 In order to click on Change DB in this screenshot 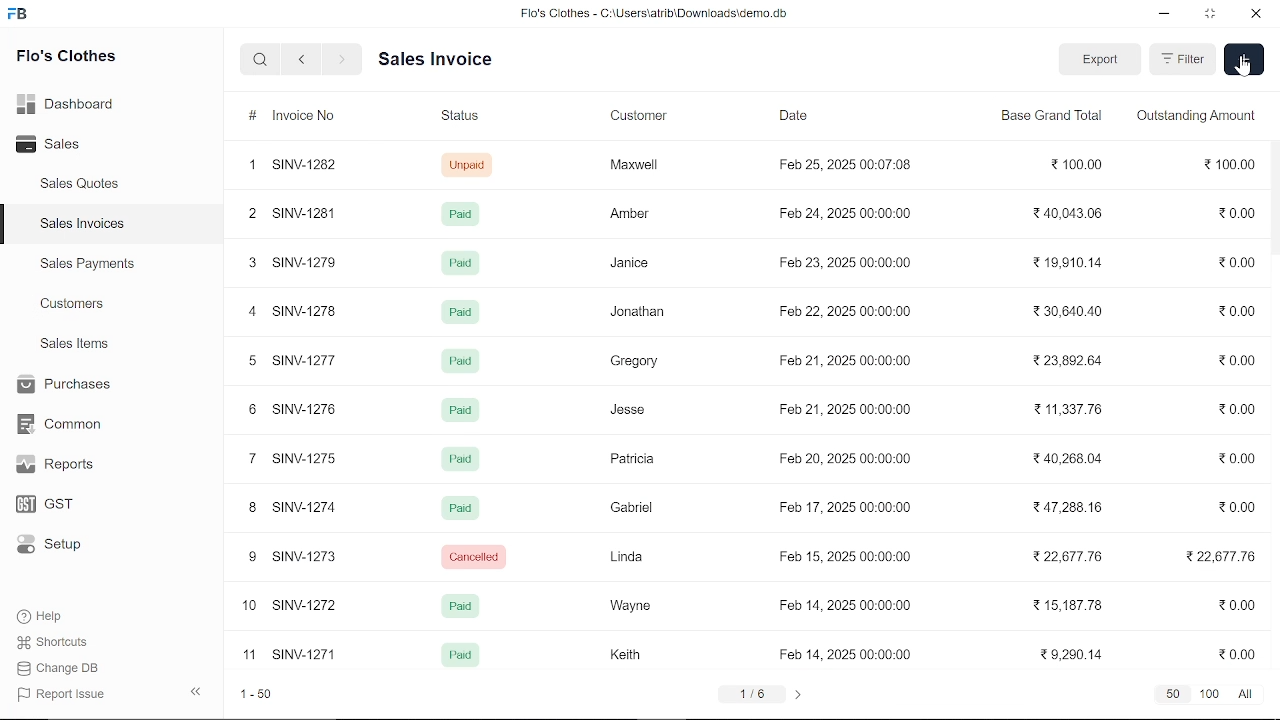, I will do `click(64, 668)`.